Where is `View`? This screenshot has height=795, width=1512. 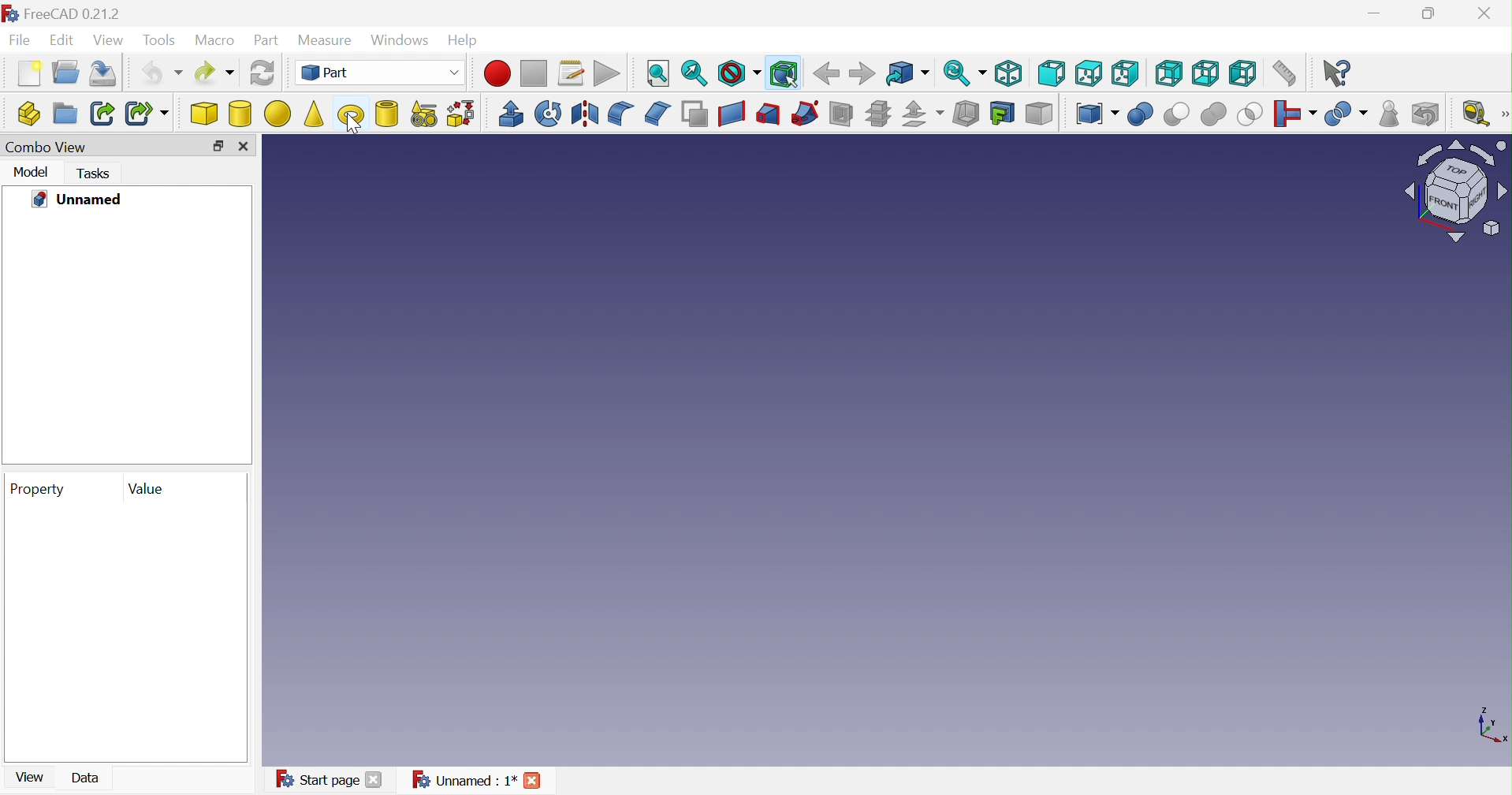
View is located at coordinates (32, 777).